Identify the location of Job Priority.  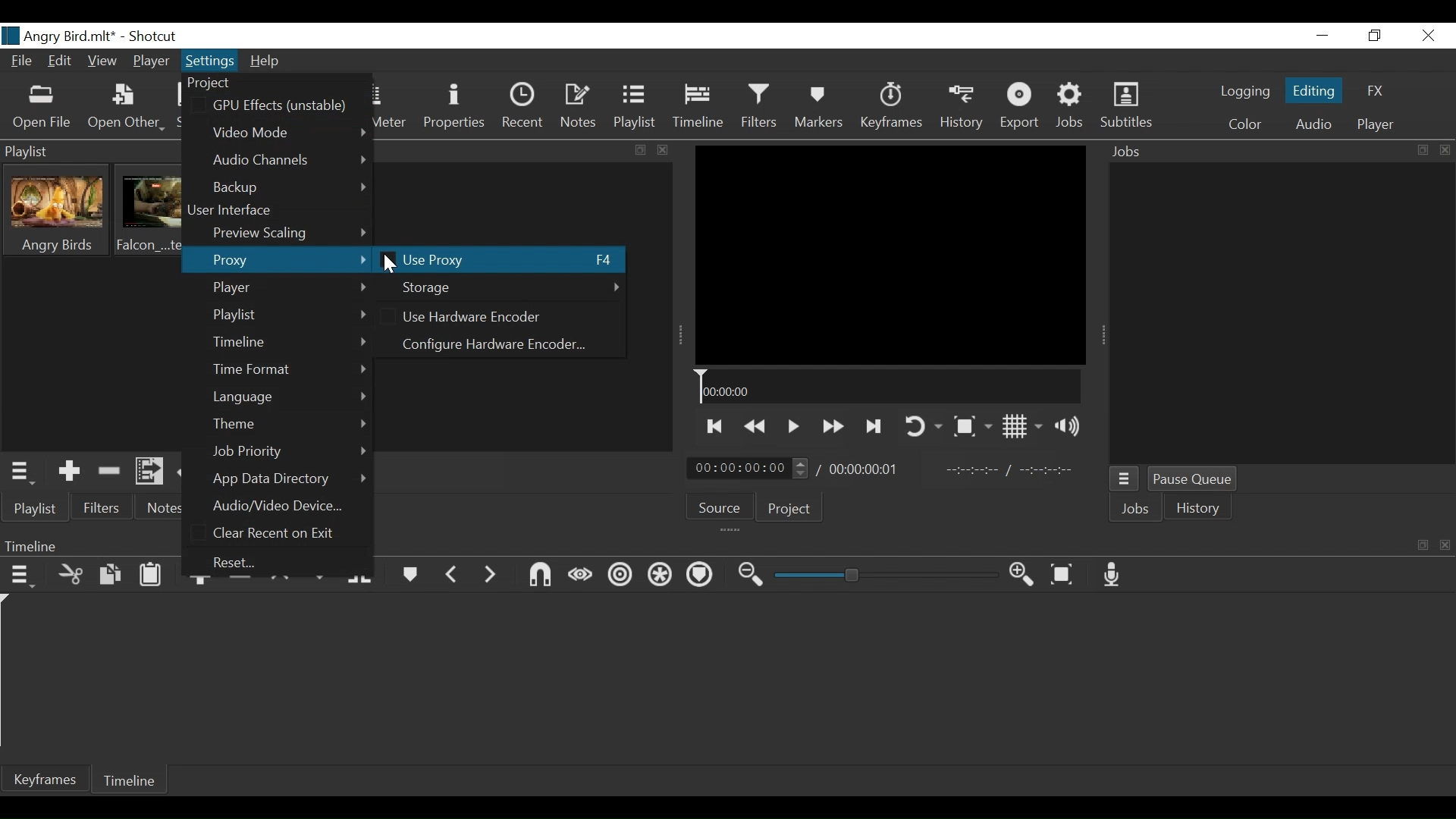
(290, 451).